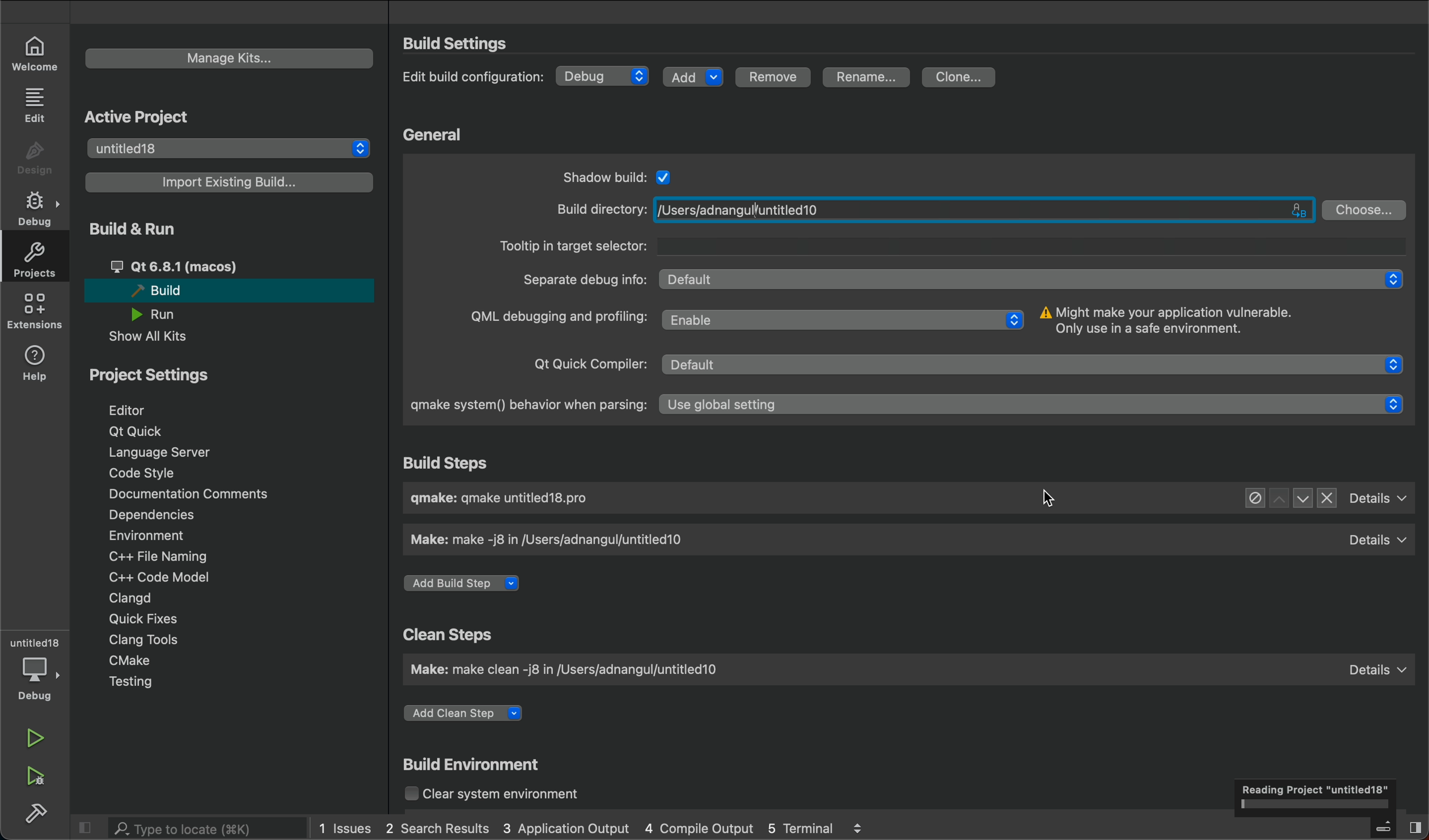  I want to click on C++ file naming, so click(155, 557).